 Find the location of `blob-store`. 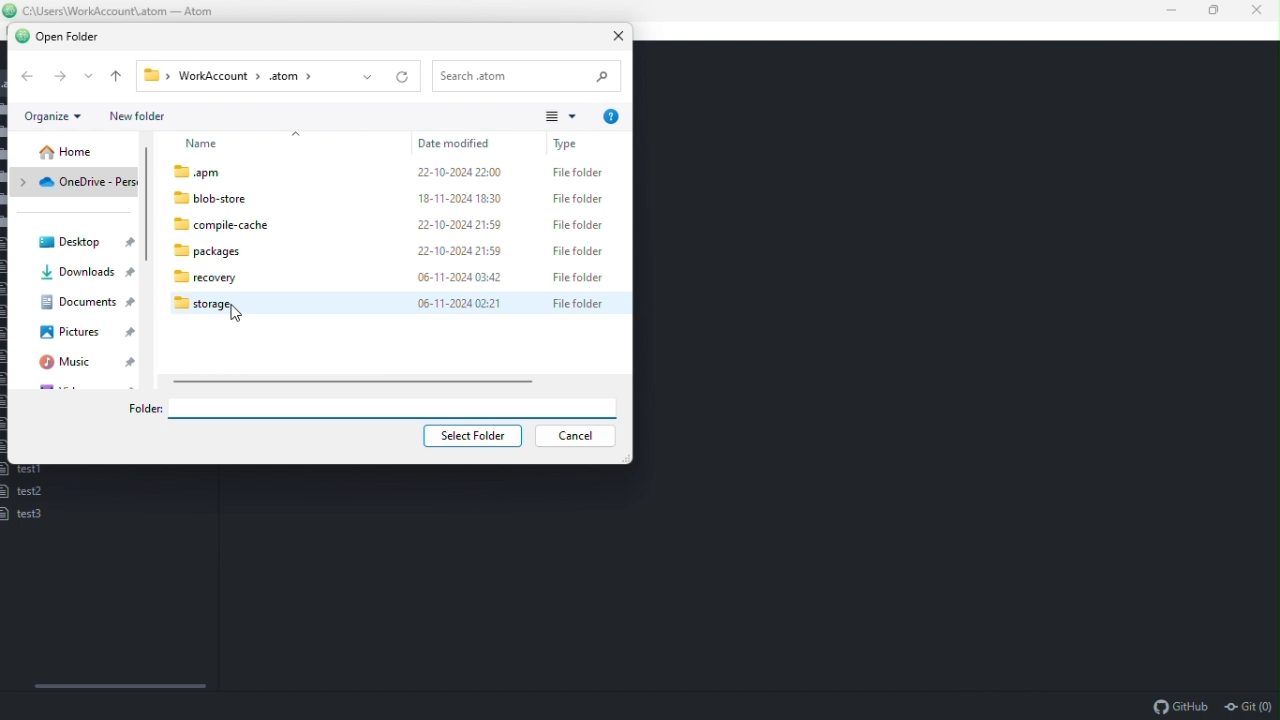

blob-store is located at coordinates (395, 199).